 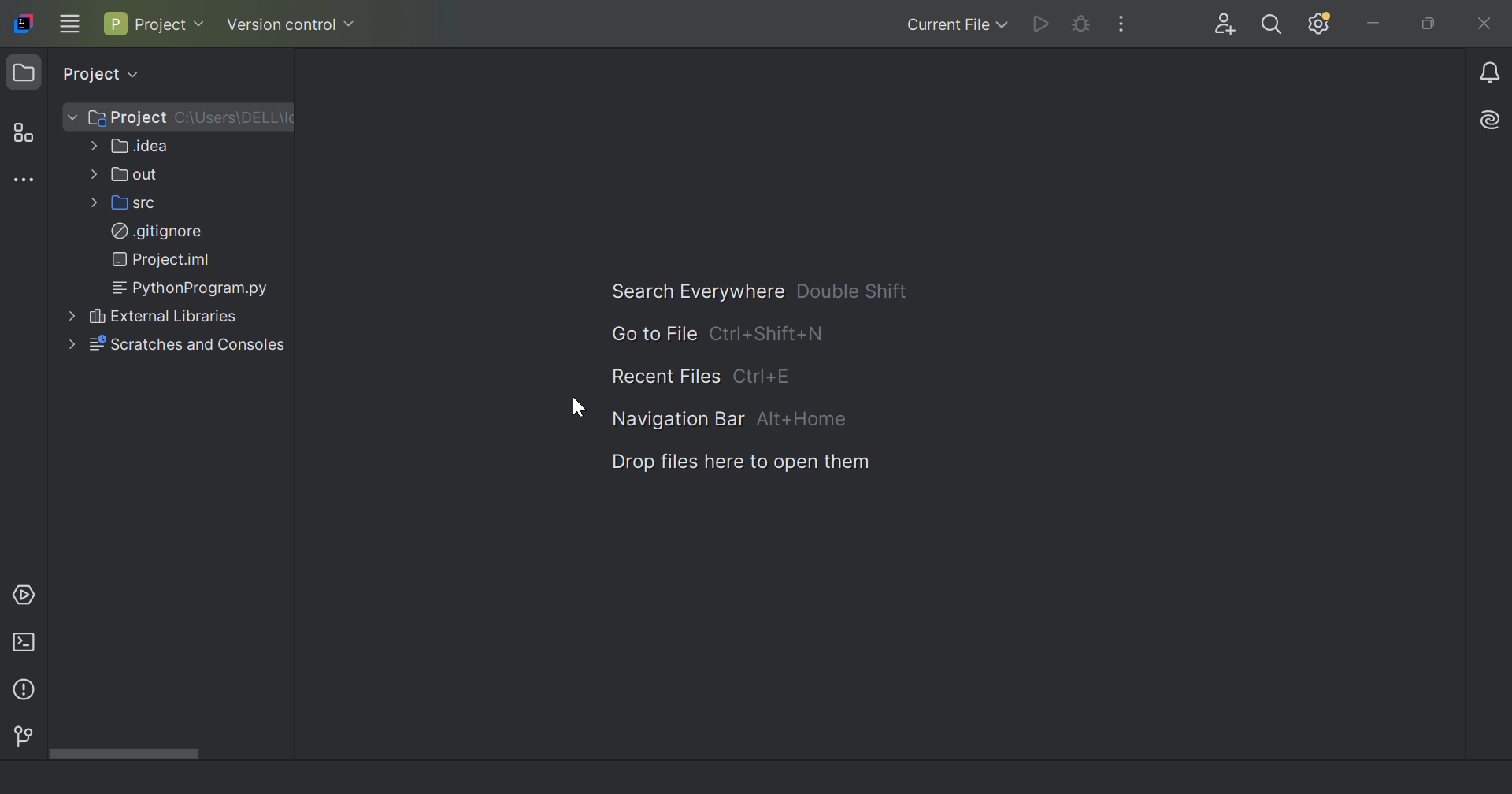 What do you see at coordinates (1321, 24) in the screenshot?
I see `Update available. IDE and Project settings` at bounding box center [1321, 24].